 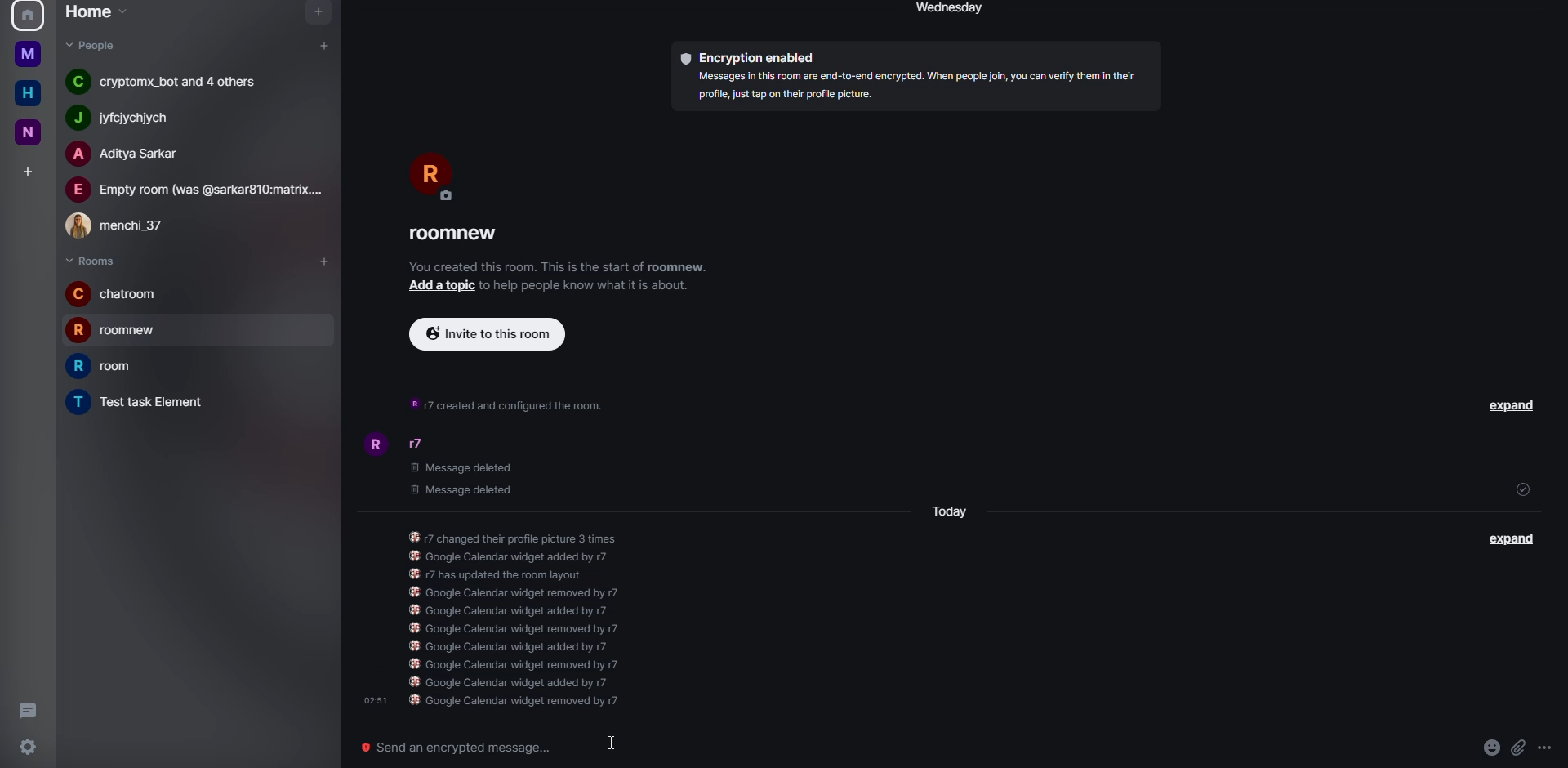 I want to click on rooms, so click(x=91, y=260).